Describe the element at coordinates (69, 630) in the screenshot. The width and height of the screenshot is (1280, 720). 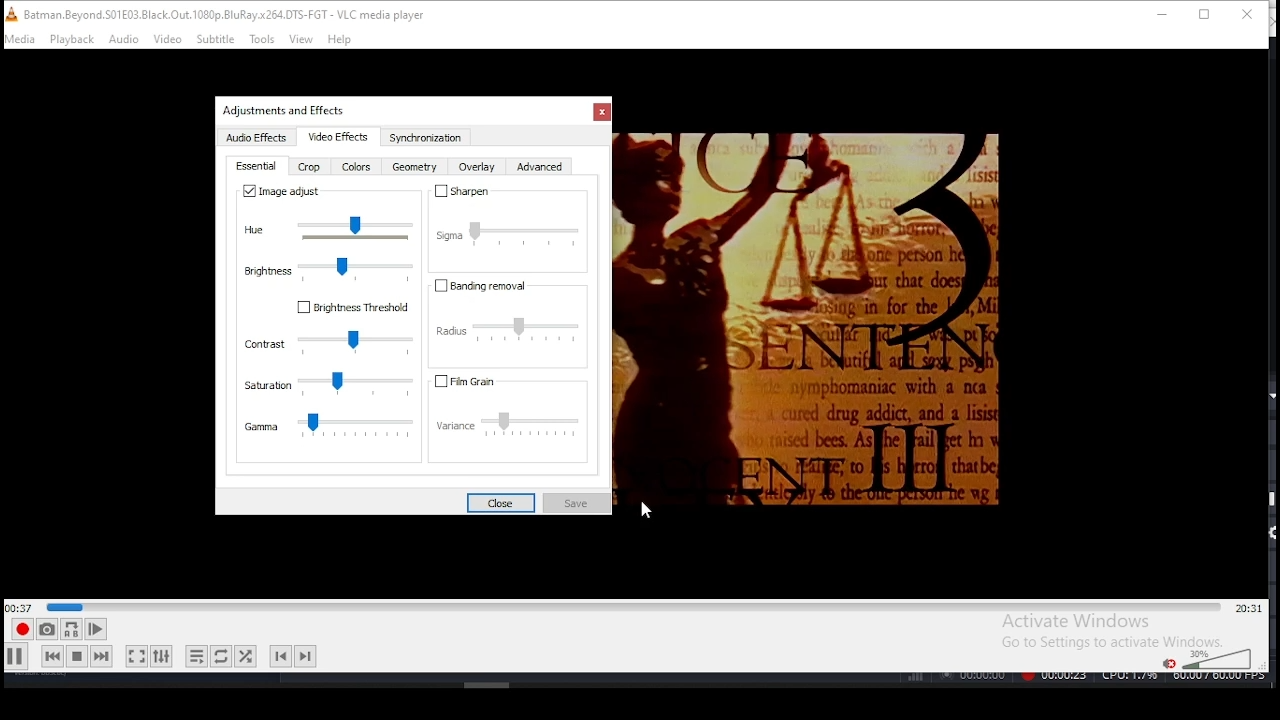
I see `loop between point A and point B continuously. Click to set point A` at that location.